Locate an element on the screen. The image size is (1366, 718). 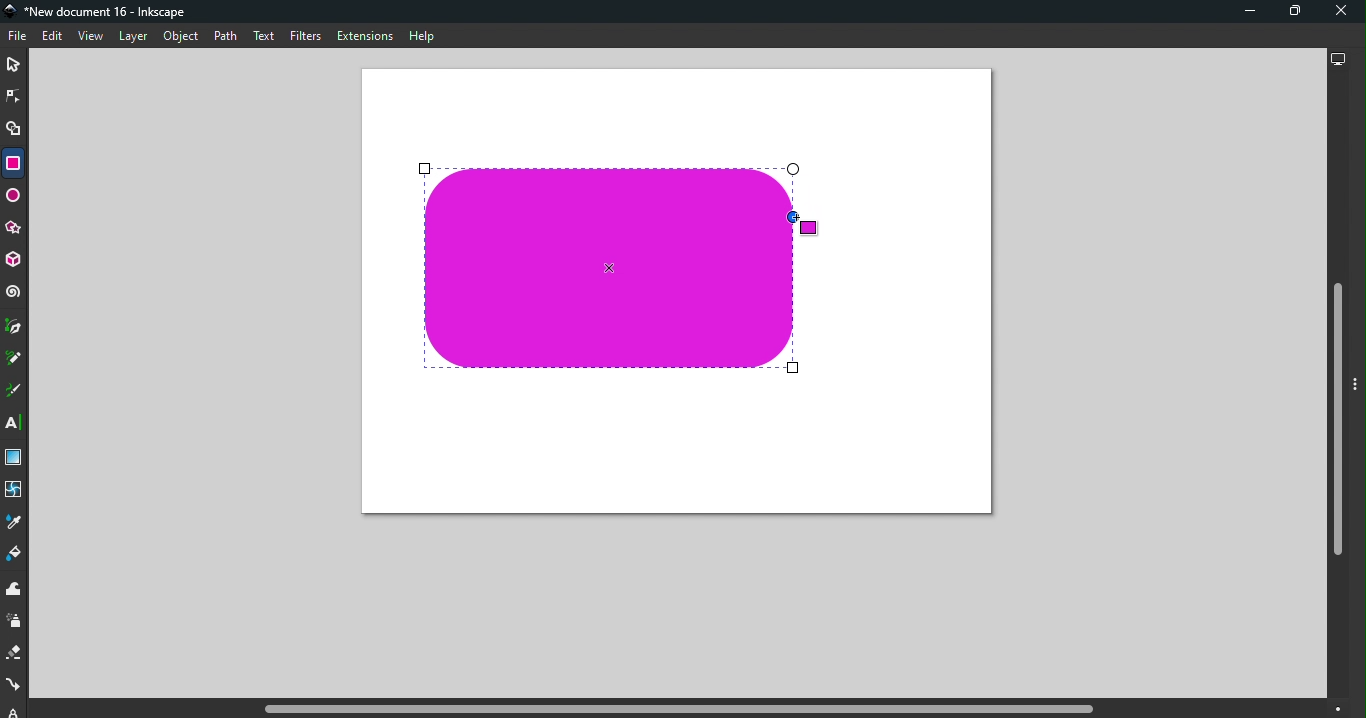
Object is located at coordinates (181, 37).